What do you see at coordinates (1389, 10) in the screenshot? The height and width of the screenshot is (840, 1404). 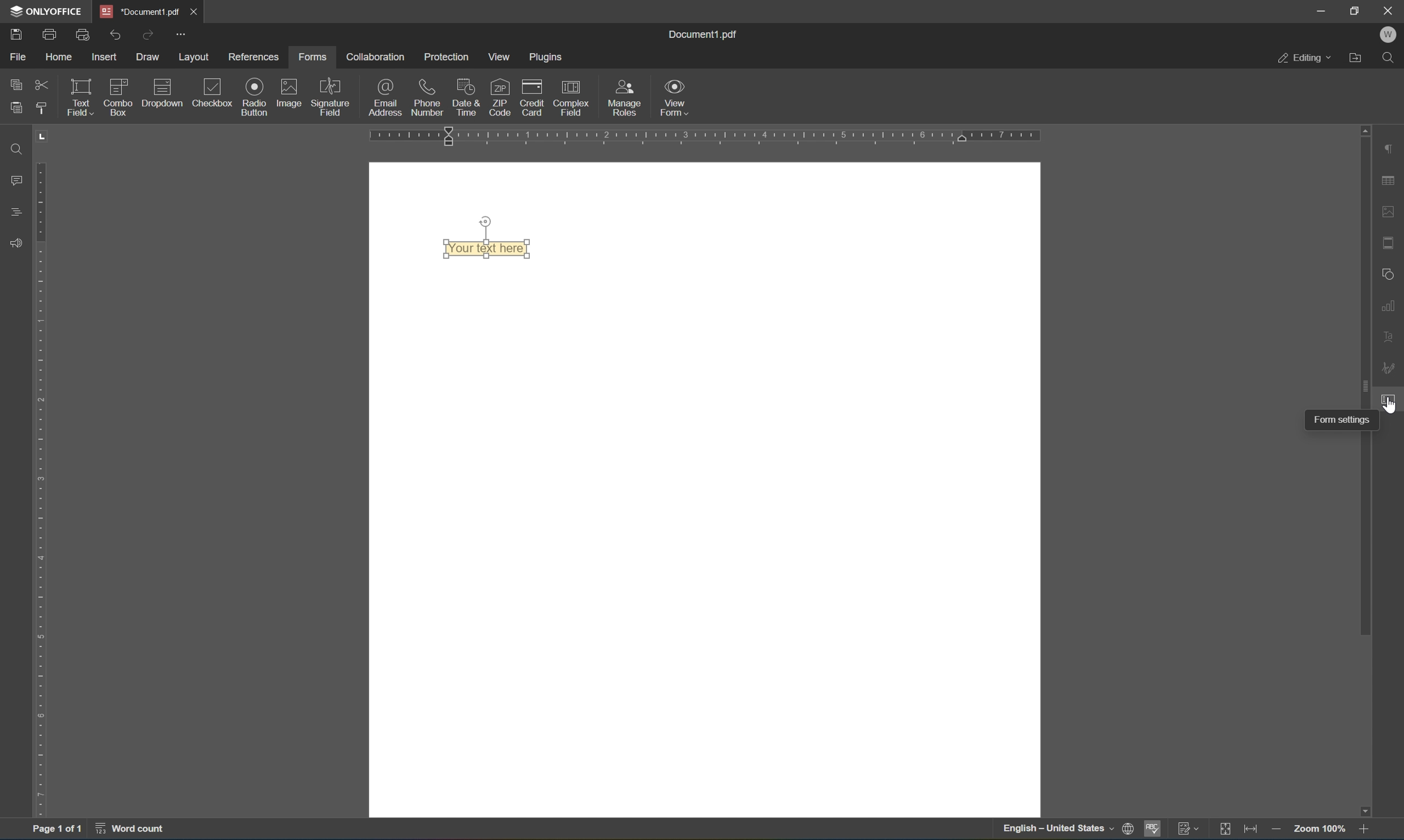 I see `close` at bounding box center [1389, 10].